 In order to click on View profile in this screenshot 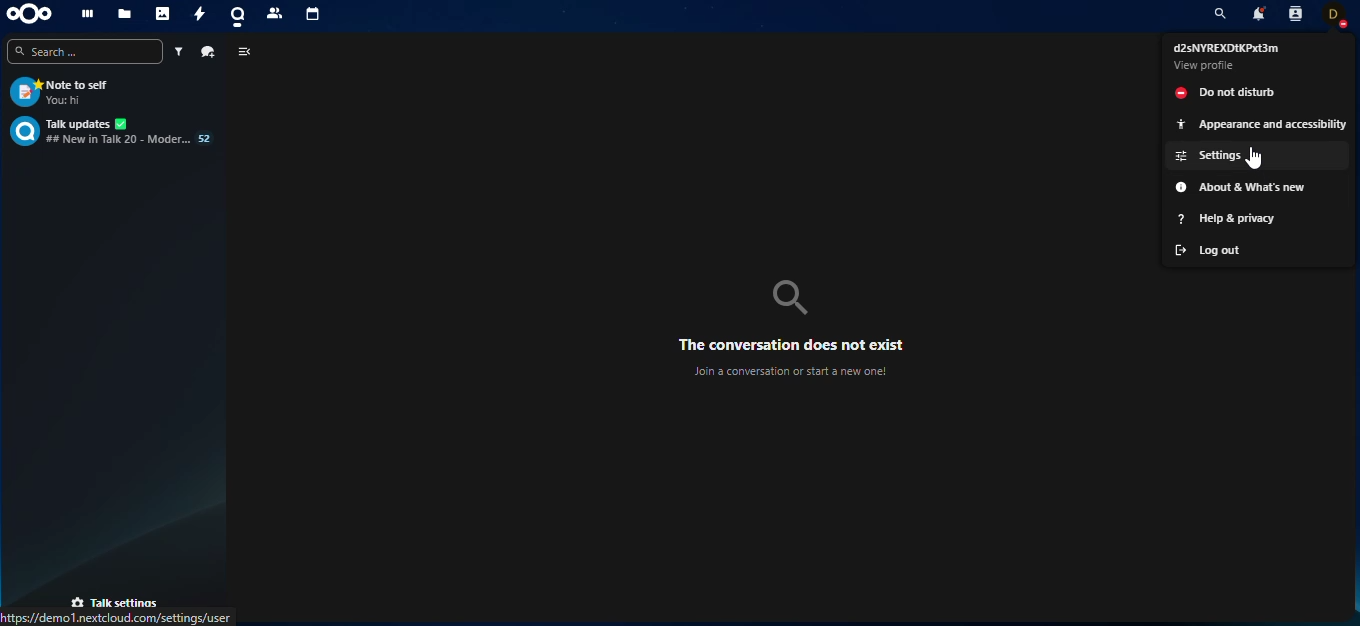, I will do `click(1205, 65)`.